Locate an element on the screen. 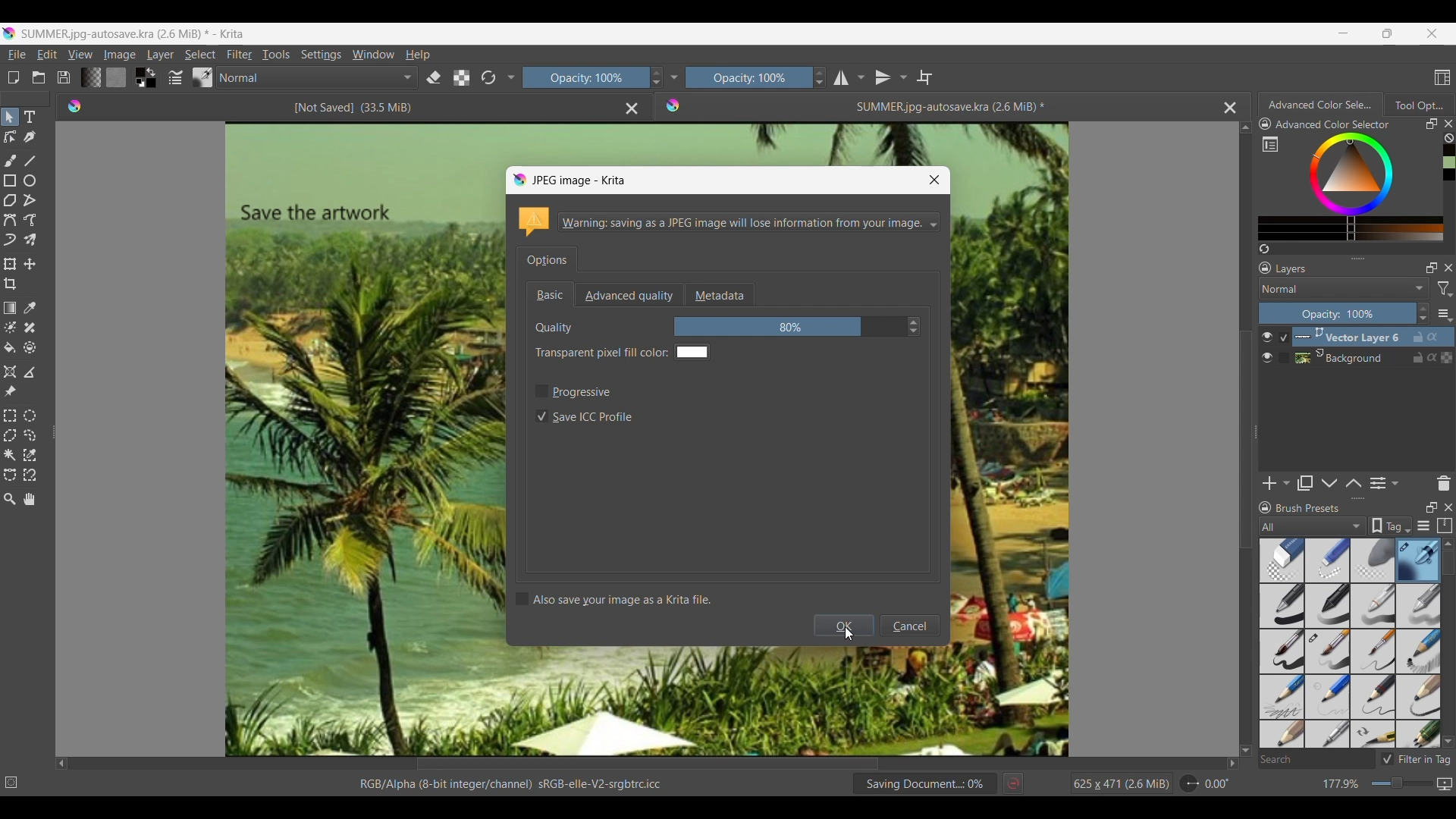 The height and width of the screenshot is (819, 1456). Polygon selection tool is located at coordinates (11, 435).